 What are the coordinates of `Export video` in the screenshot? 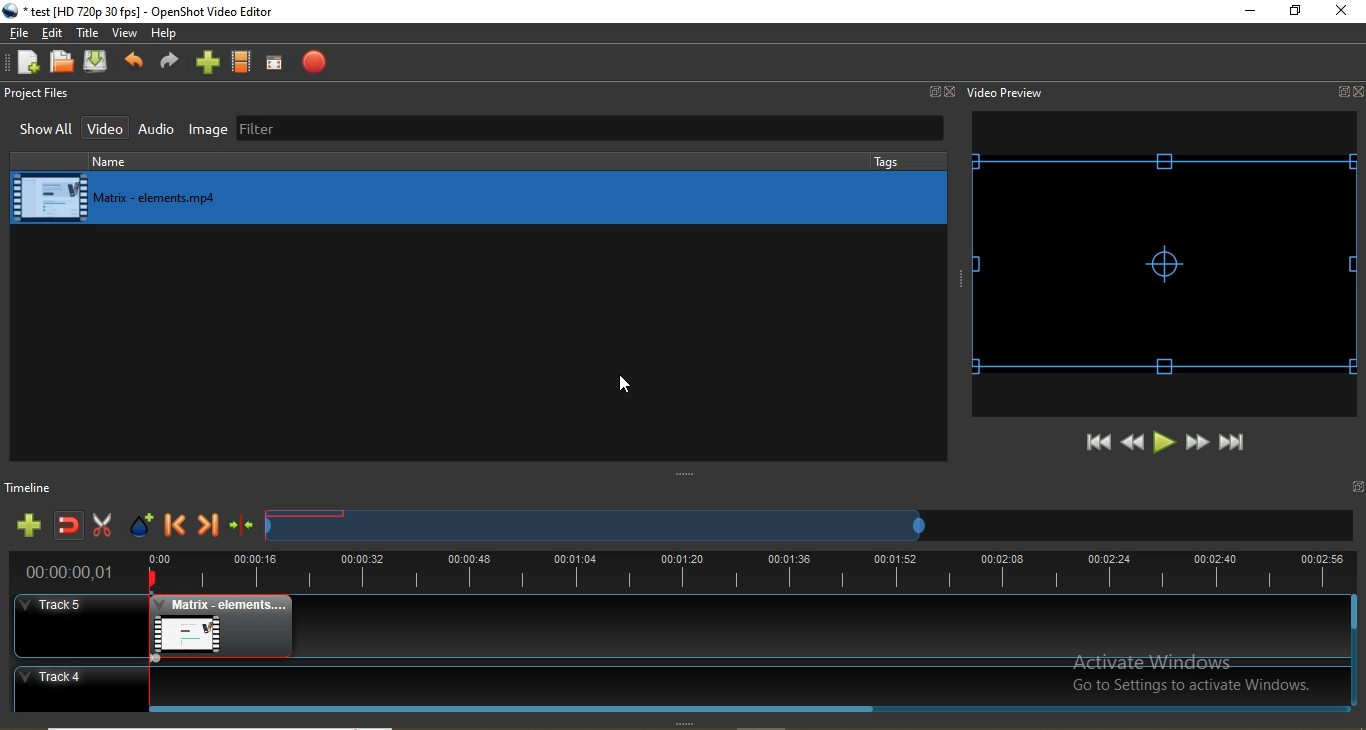 It's located at (310, 62).